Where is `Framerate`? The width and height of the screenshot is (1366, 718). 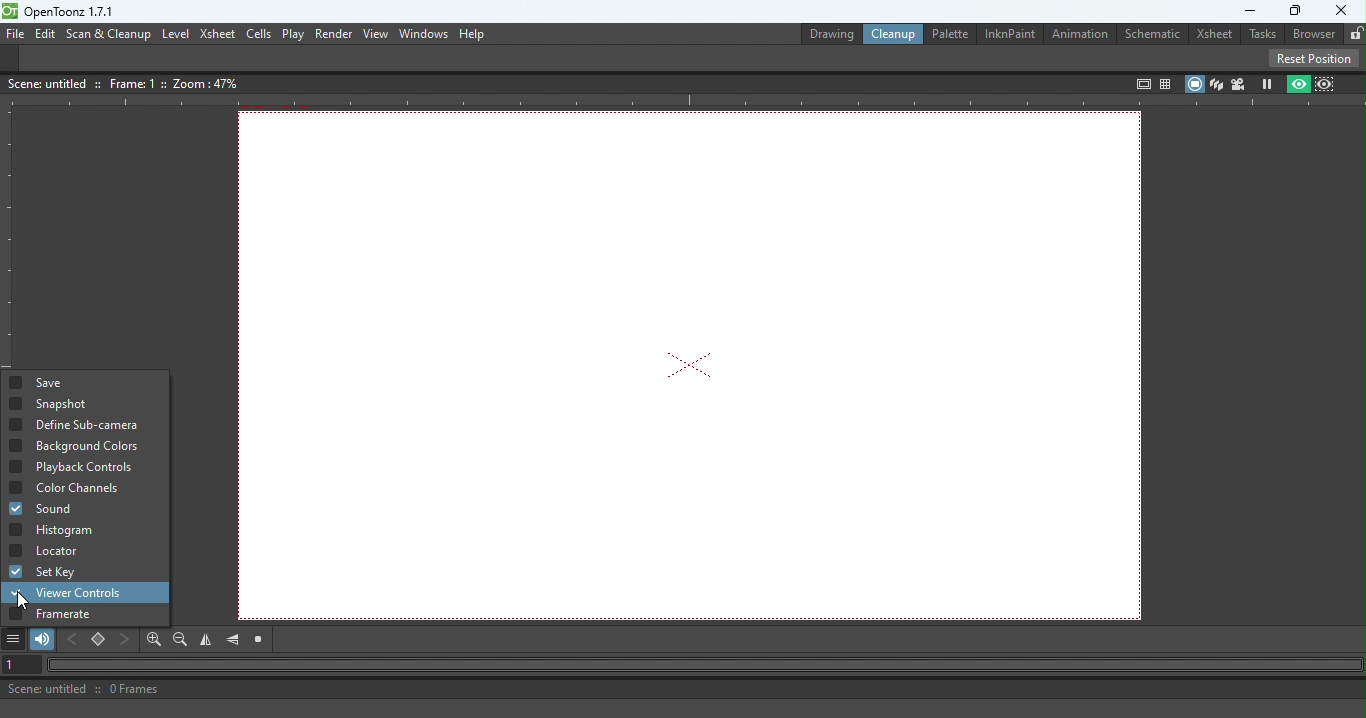 Framerate is located at coordinates (87, 617).